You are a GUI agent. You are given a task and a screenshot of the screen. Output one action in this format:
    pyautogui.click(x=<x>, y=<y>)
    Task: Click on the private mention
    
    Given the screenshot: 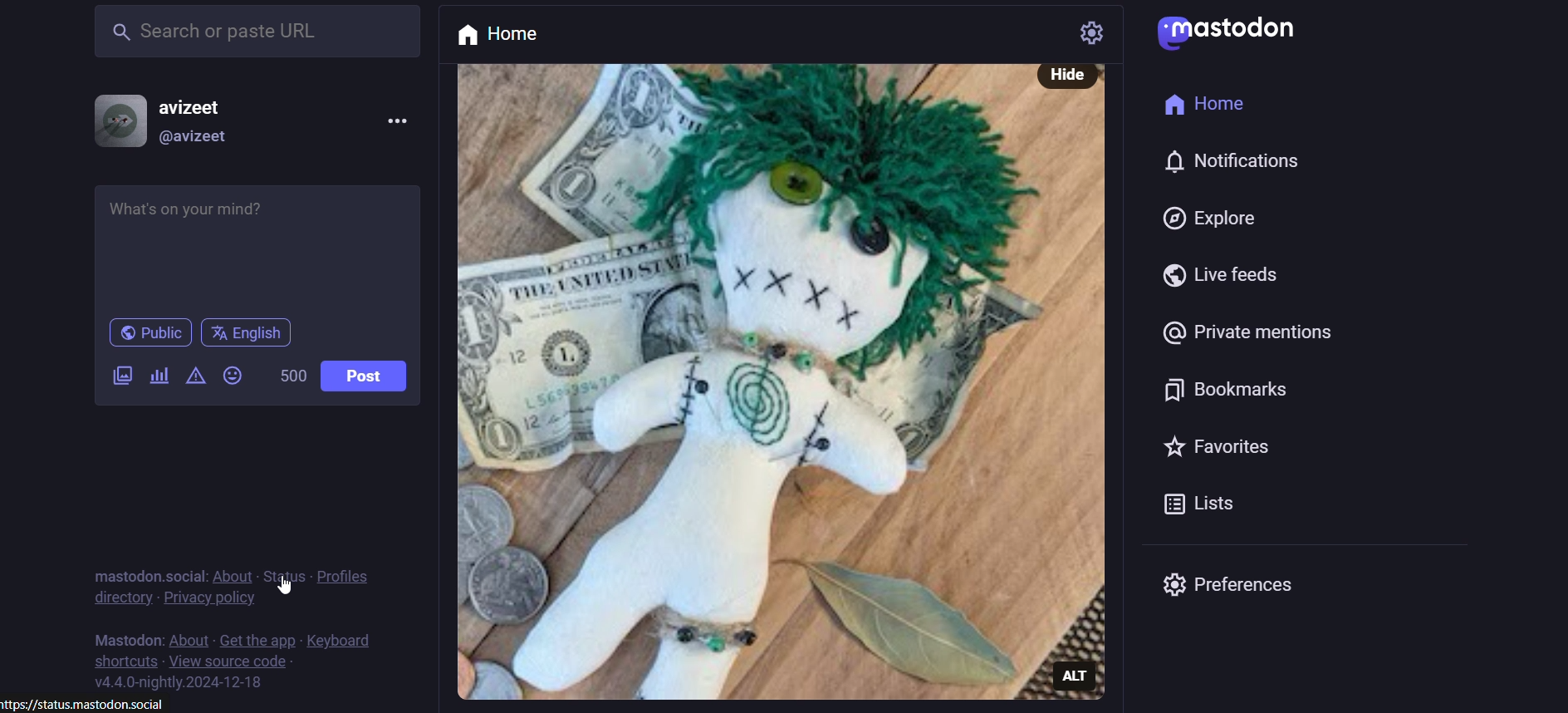 What is the action you would take?
    pyautogui.click(x=1242, y=337)
    